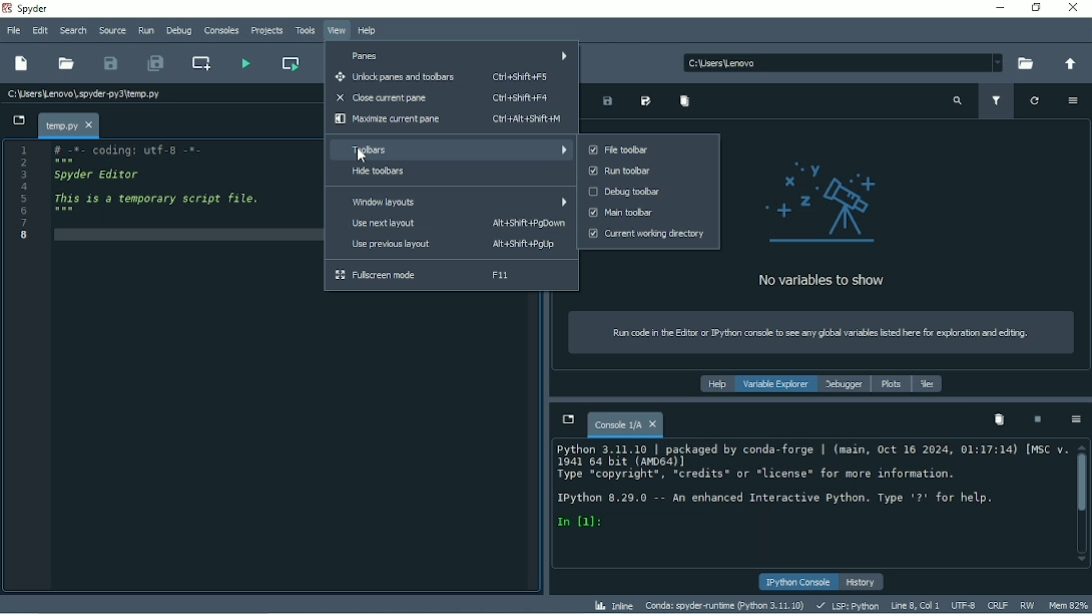 Image resolution: width=1092 pixels, height=614 pixels. I want to click on CRLF, so click(997, 605).